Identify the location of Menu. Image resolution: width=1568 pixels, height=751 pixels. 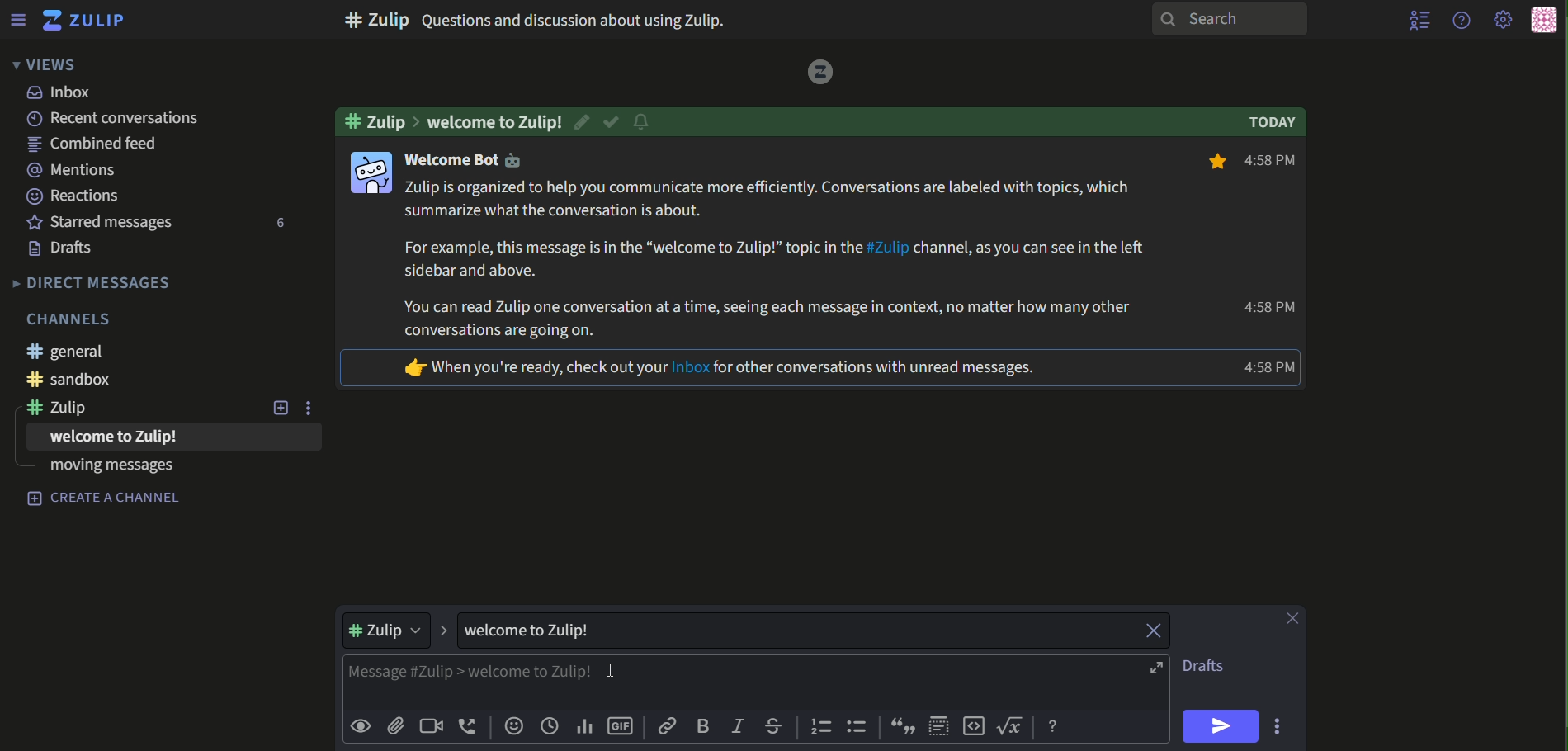
(17, 19).